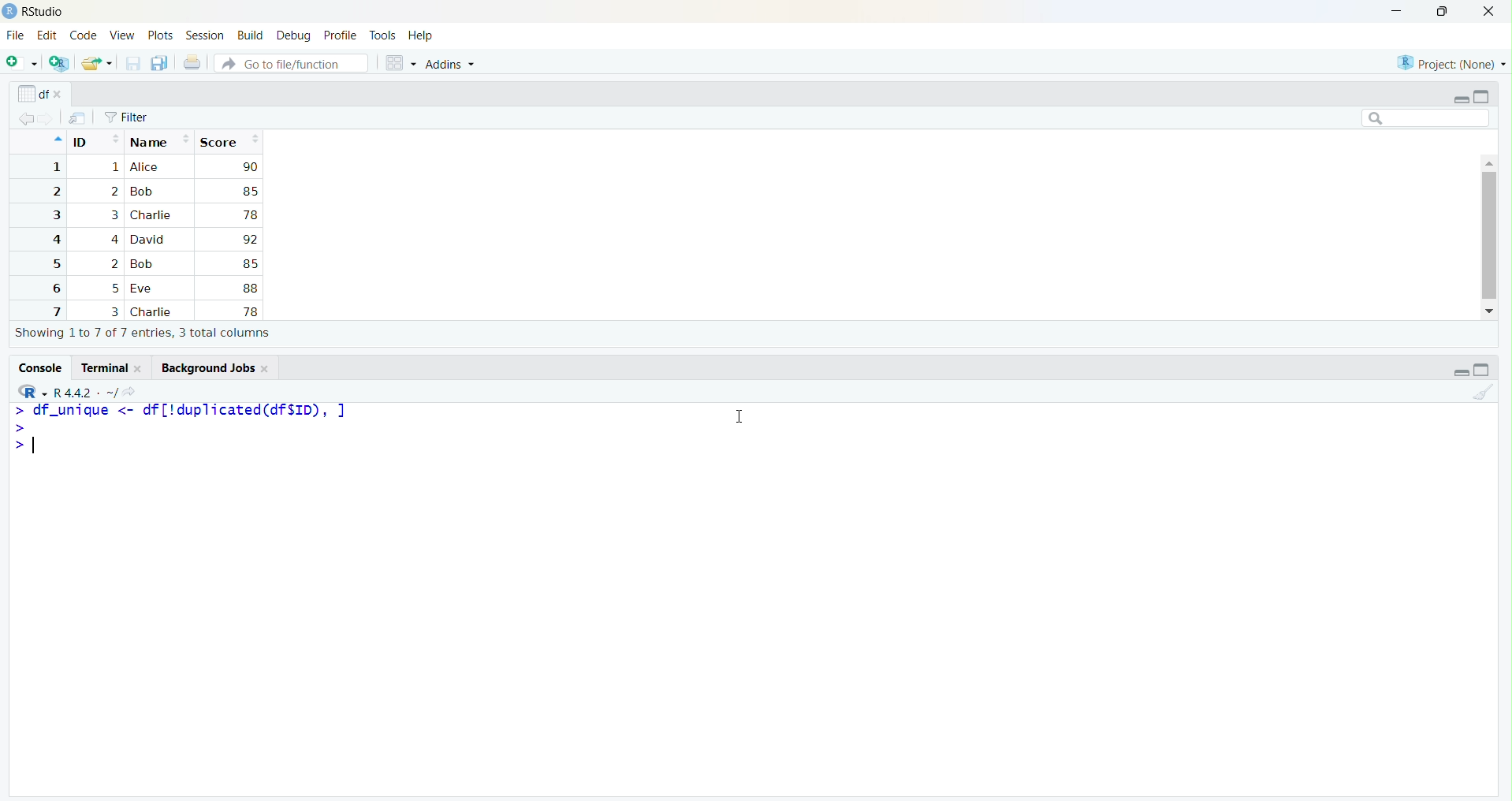 The image size is (1512, 801). Describe the element at coordinates (114, 264) in the screenshot. I see `2` at that location.